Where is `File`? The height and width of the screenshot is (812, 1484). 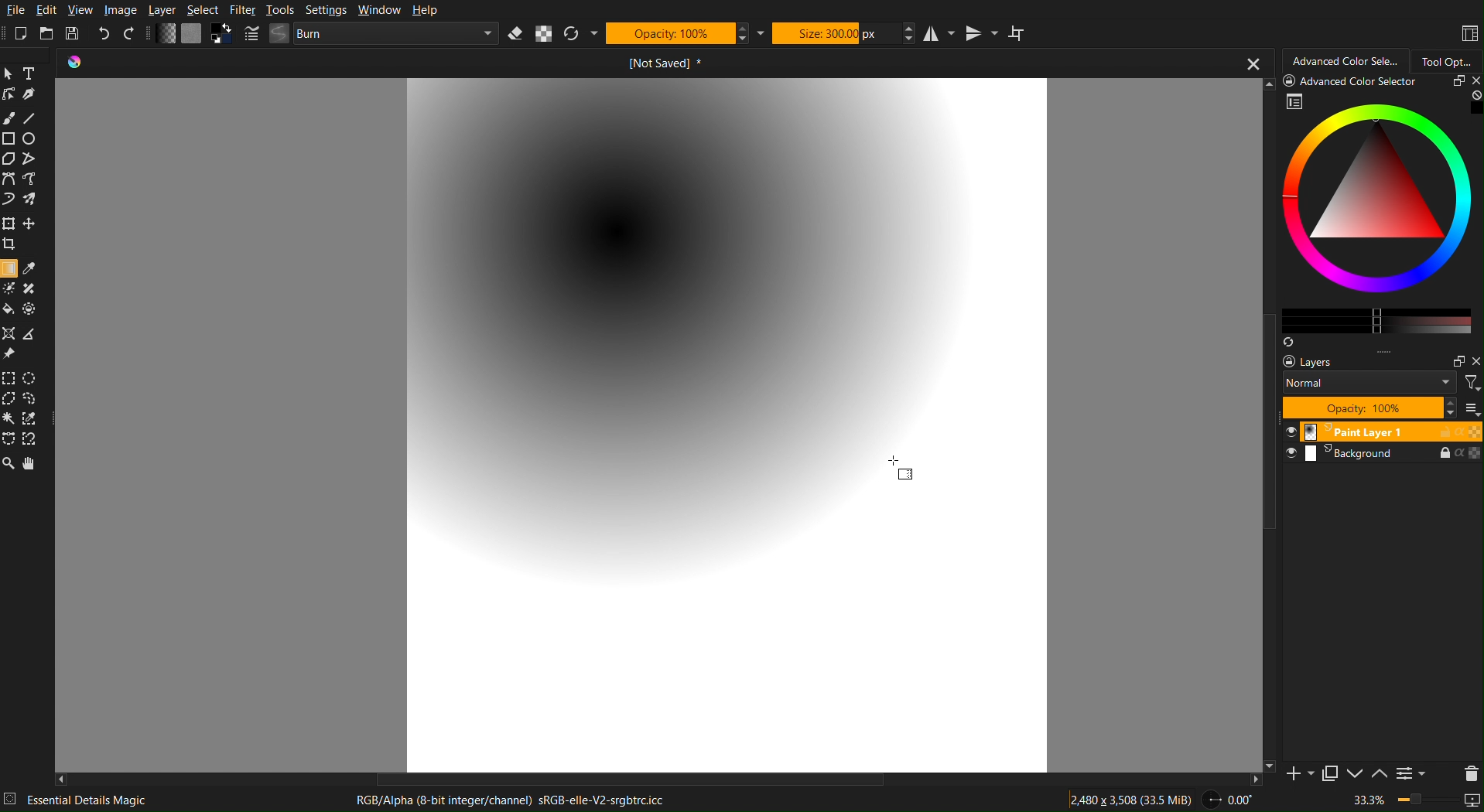 File is located at coordinates (15, 11).